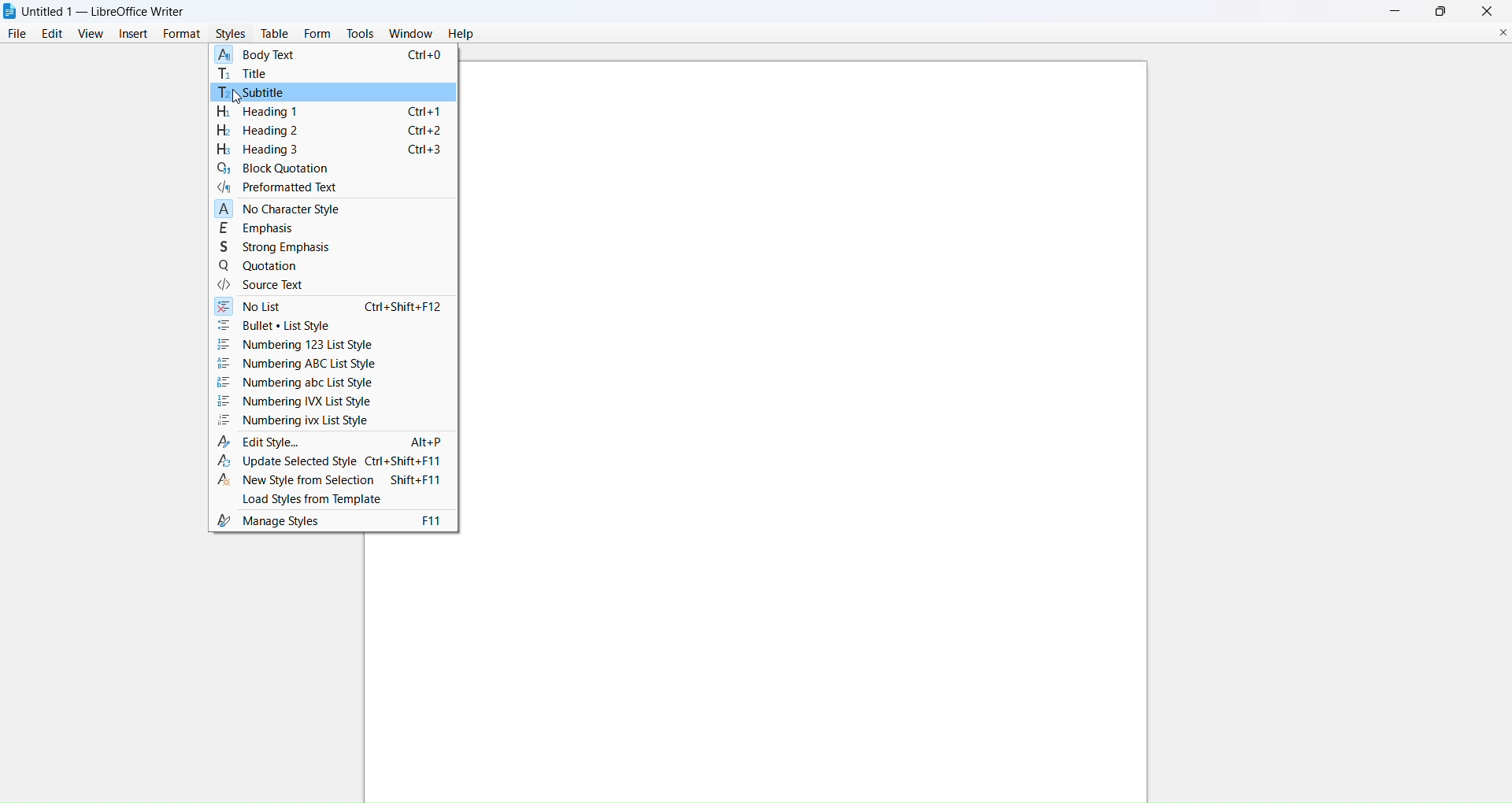  What do you see at coordinates (295, 402) in the screenshot?
I see `numbering IVX style` at bounding box center [295, 402].